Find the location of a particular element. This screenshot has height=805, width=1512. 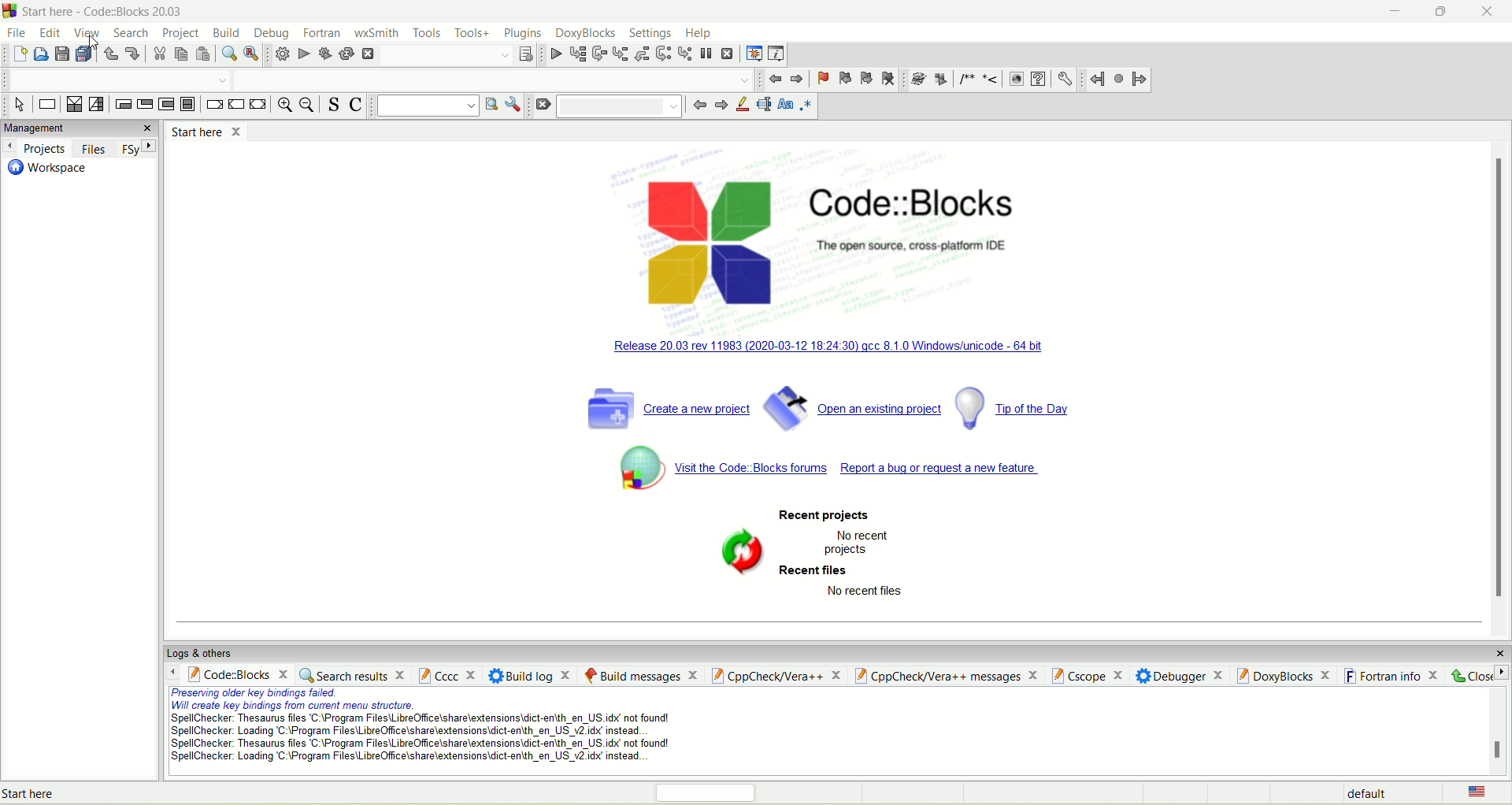

Code completion compiler is located at coordinates (497, 79).